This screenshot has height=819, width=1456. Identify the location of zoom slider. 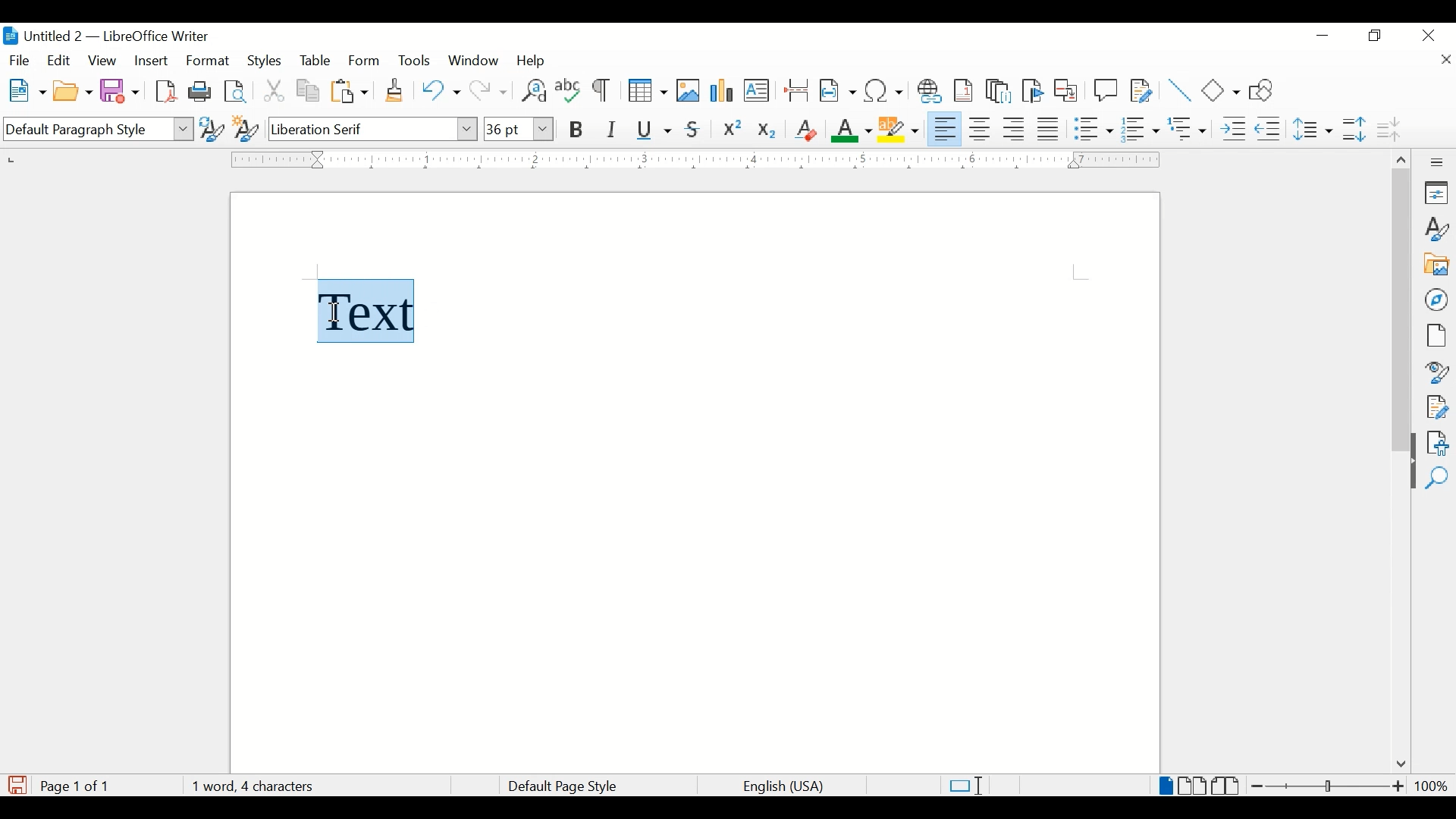
(1329, 786).